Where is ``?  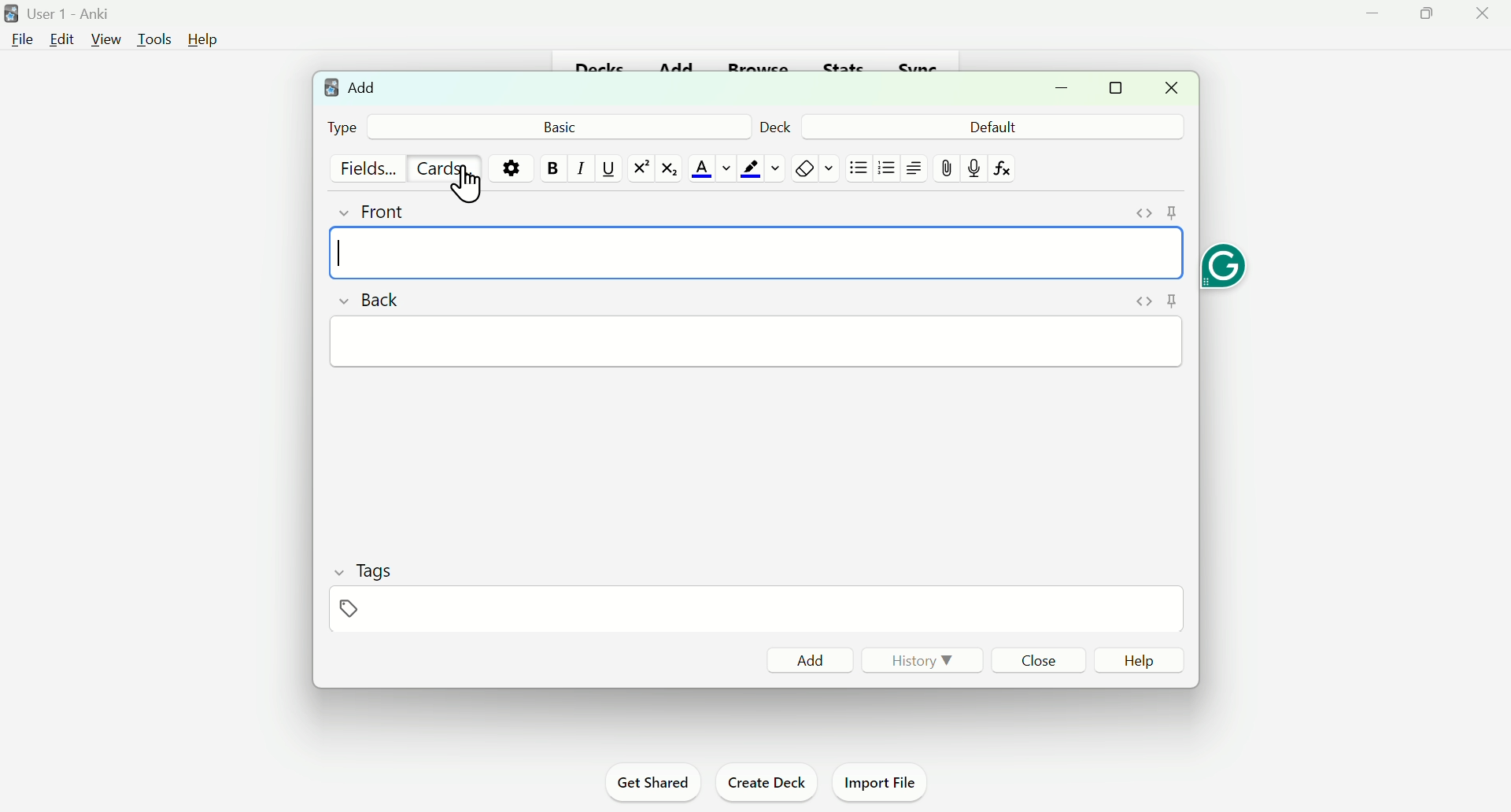  is located at coordinates (999, 127).